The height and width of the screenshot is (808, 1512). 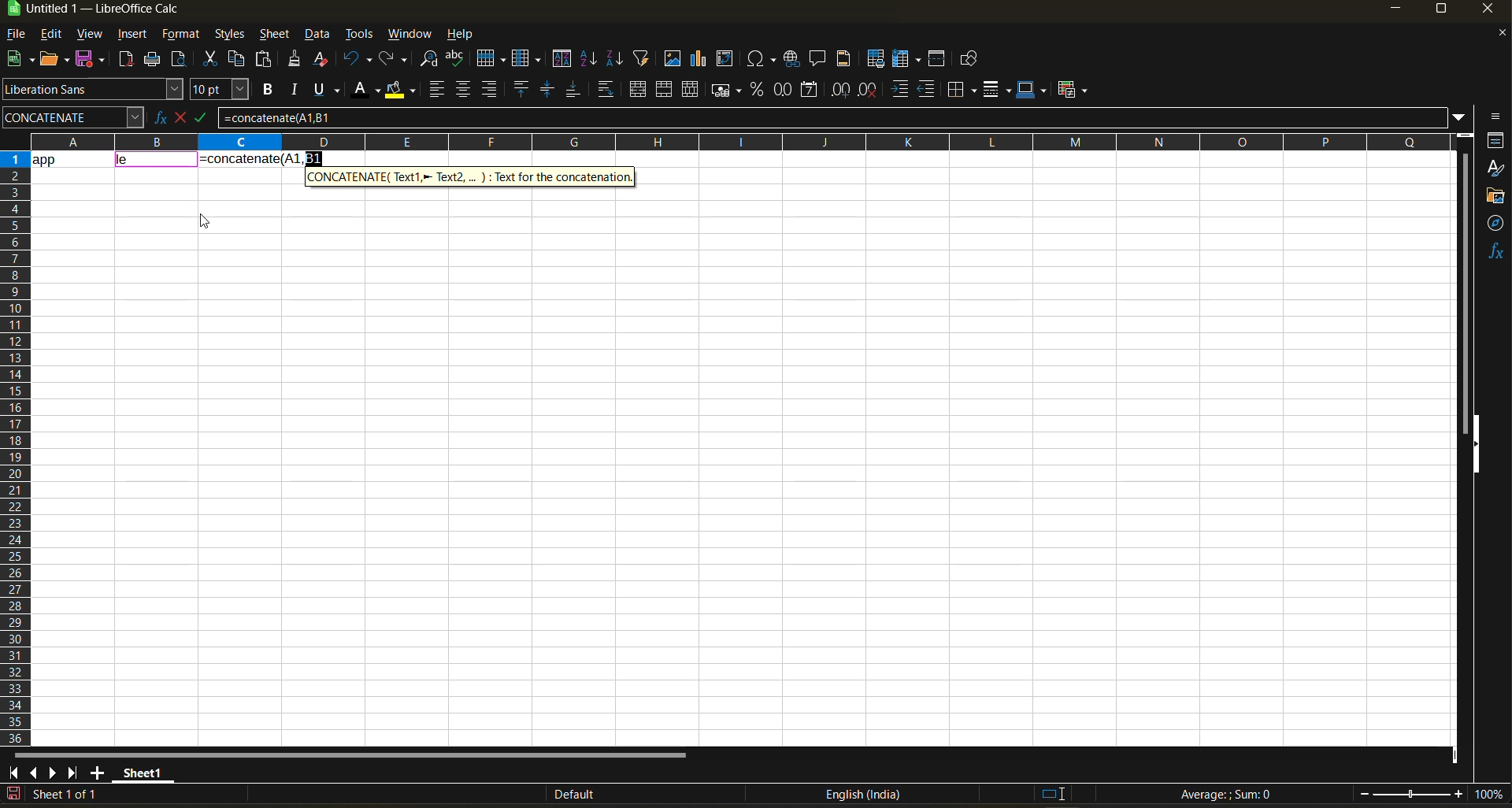 What do you see at coordinates (794, 58) in the screenshot?
I see `insert hyperlink` at bounding box center [794, 58].